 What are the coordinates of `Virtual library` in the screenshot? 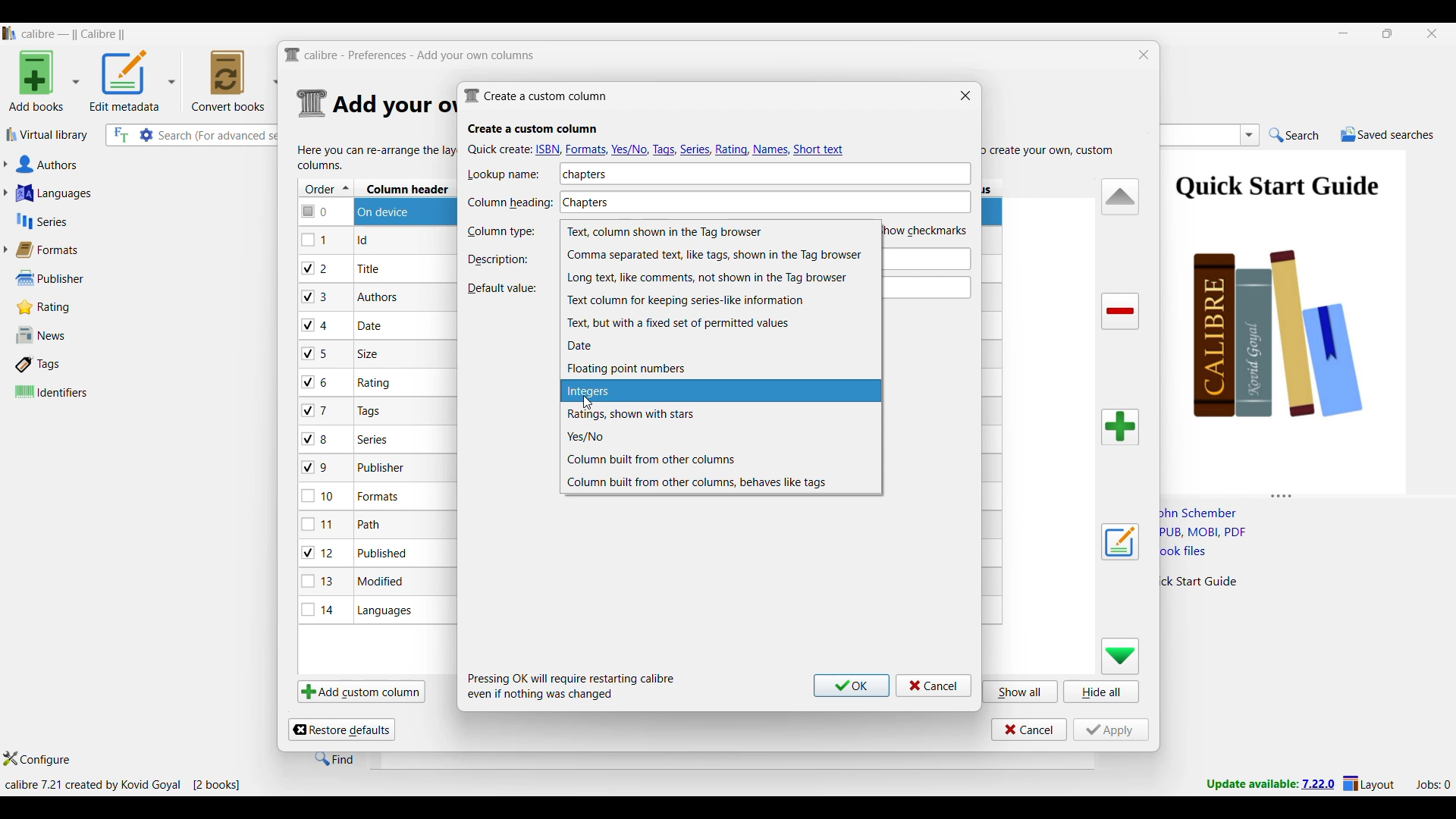 It's located at (48, 134).